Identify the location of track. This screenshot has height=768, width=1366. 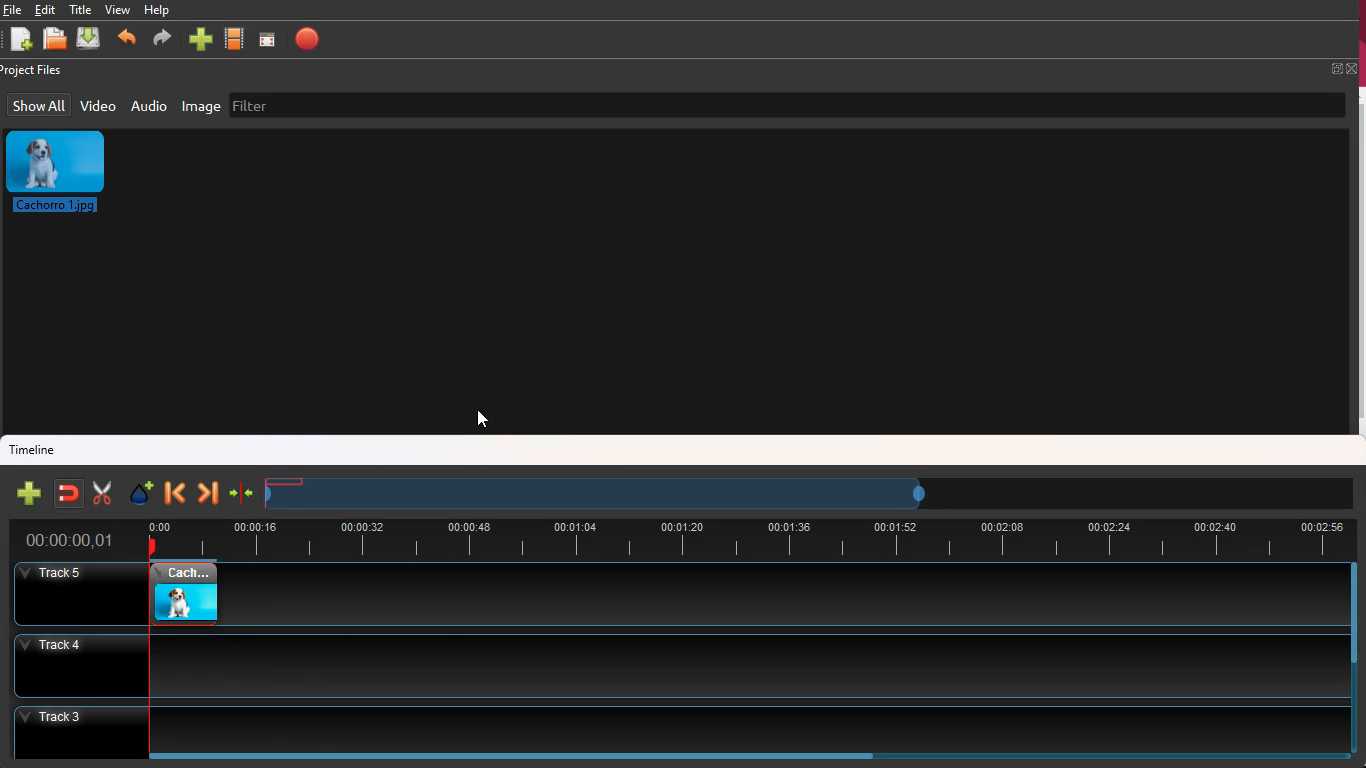
(668, 722).